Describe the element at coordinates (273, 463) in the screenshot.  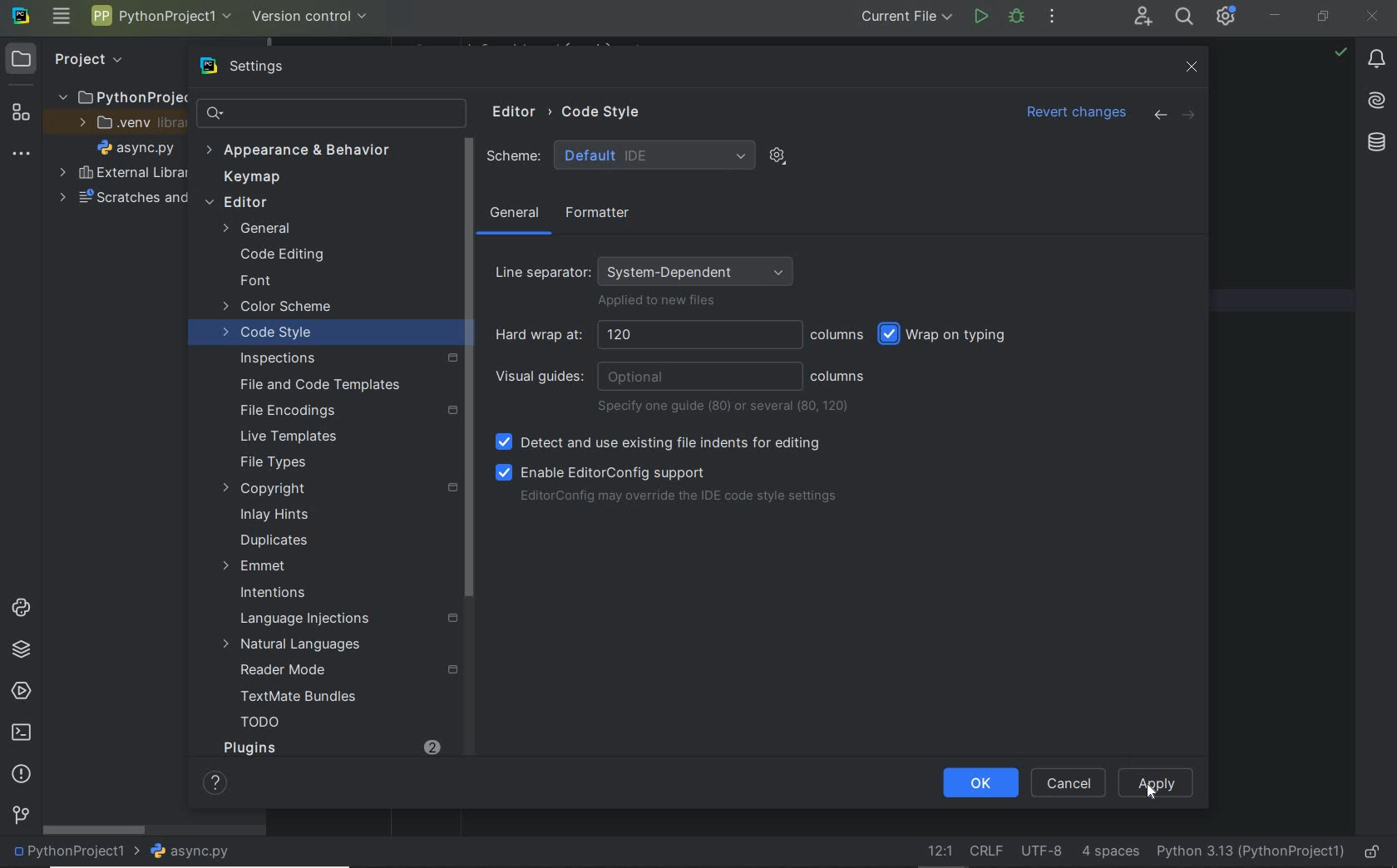
I see `File Types` at that location.